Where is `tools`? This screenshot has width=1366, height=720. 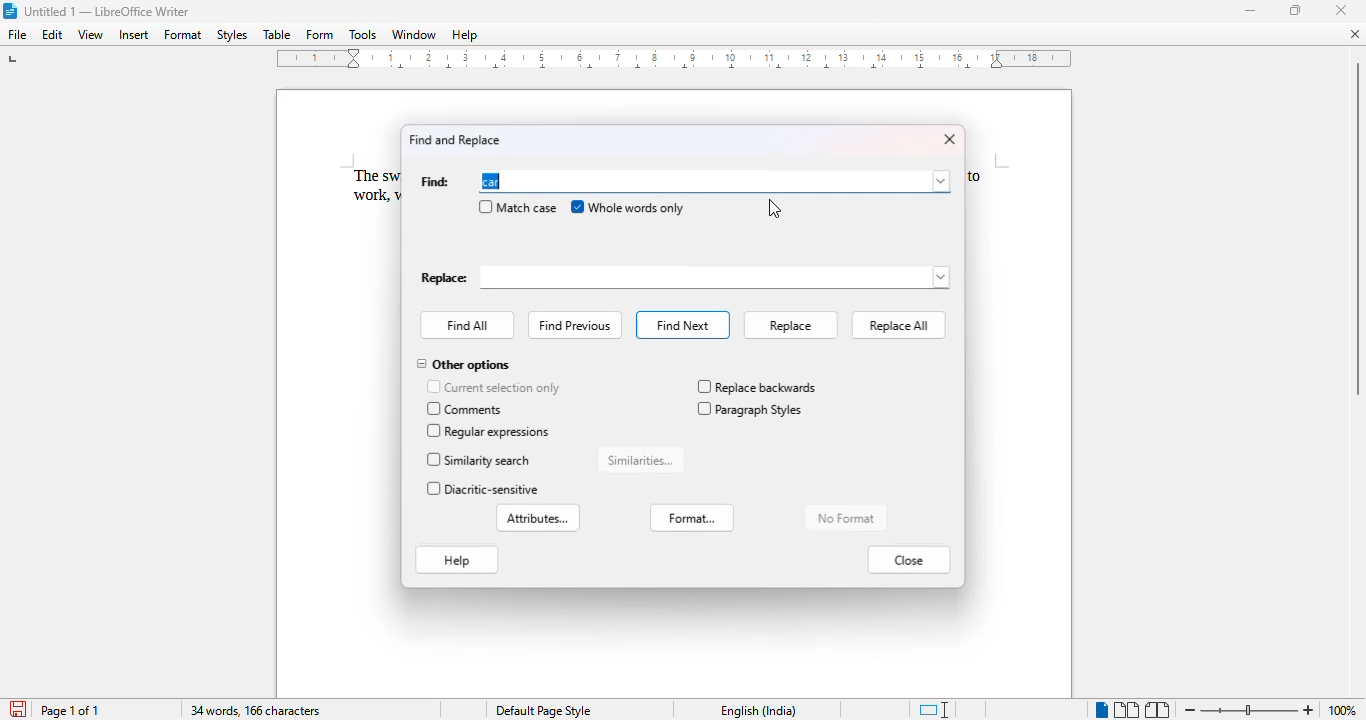 tools is located at coordinates (364, 35).